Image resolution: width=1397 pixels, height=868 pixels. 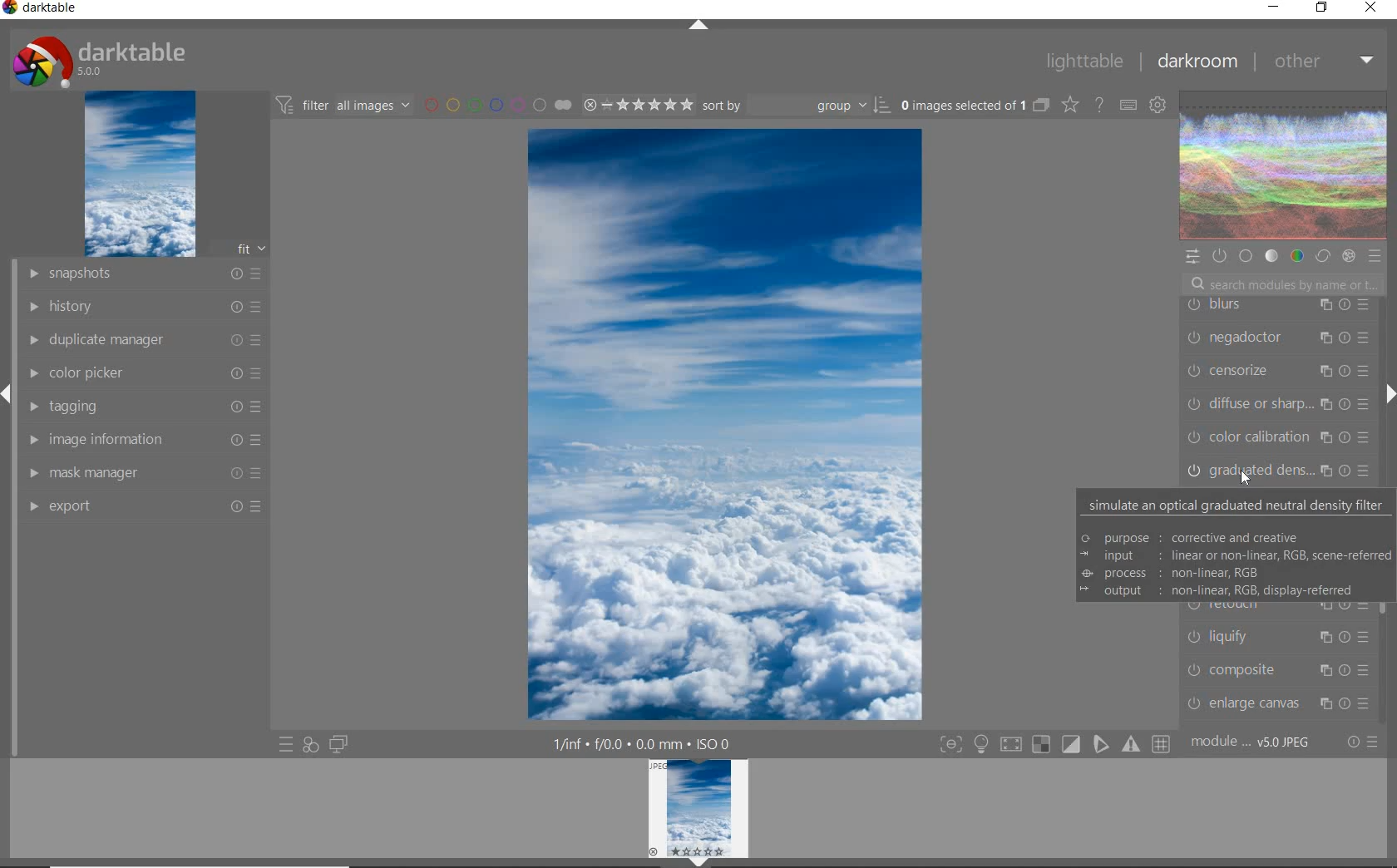 What do you see at coordinates (138, 175) in the screenshot?
I see `IMAGE` at bounding box center [138, 175].